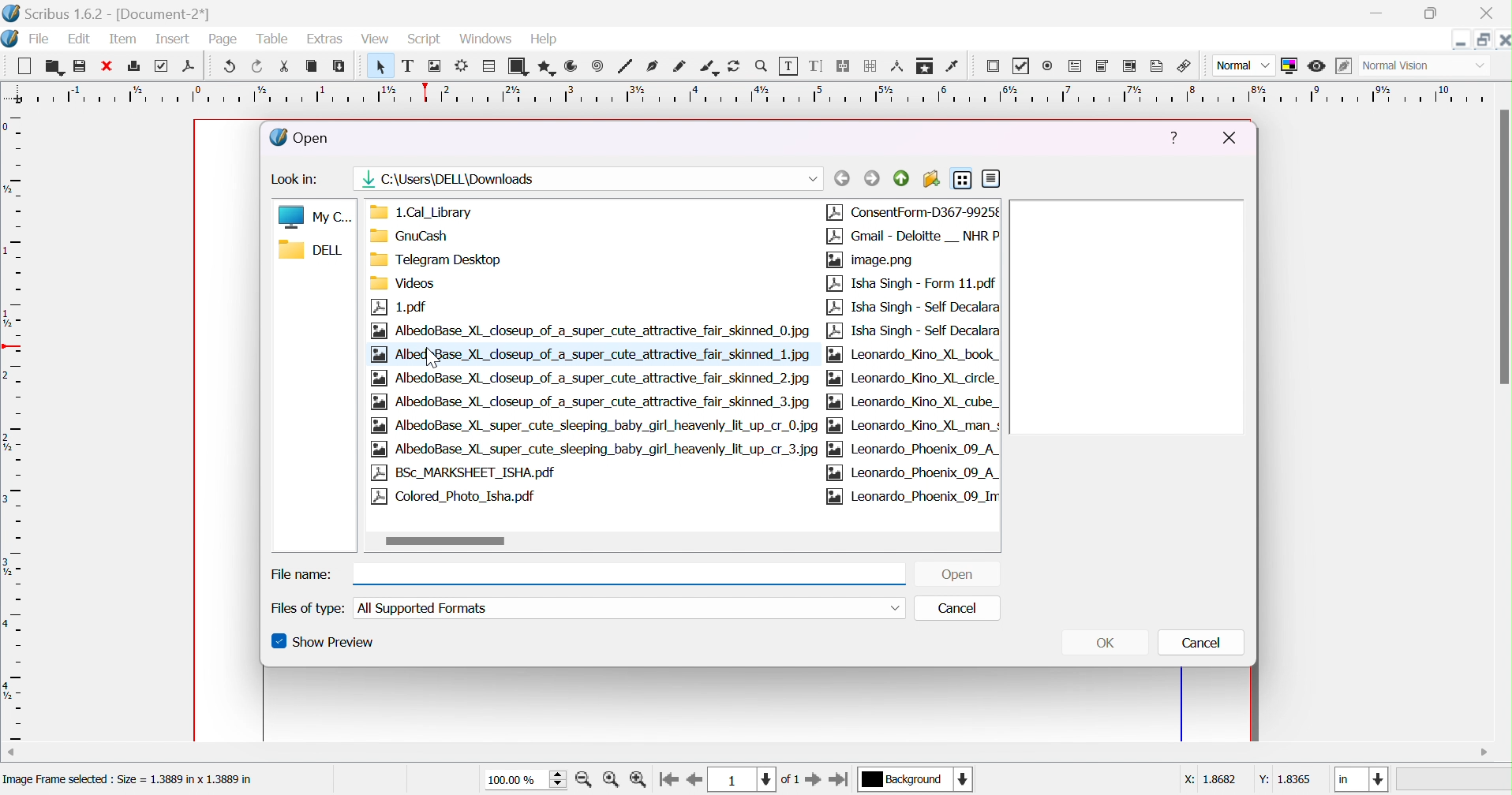 This screenshot has height=795, width=1512. Describe the element at coordinates (1341, 66) in the screenshot. I see `edit in preview mode` at that location.